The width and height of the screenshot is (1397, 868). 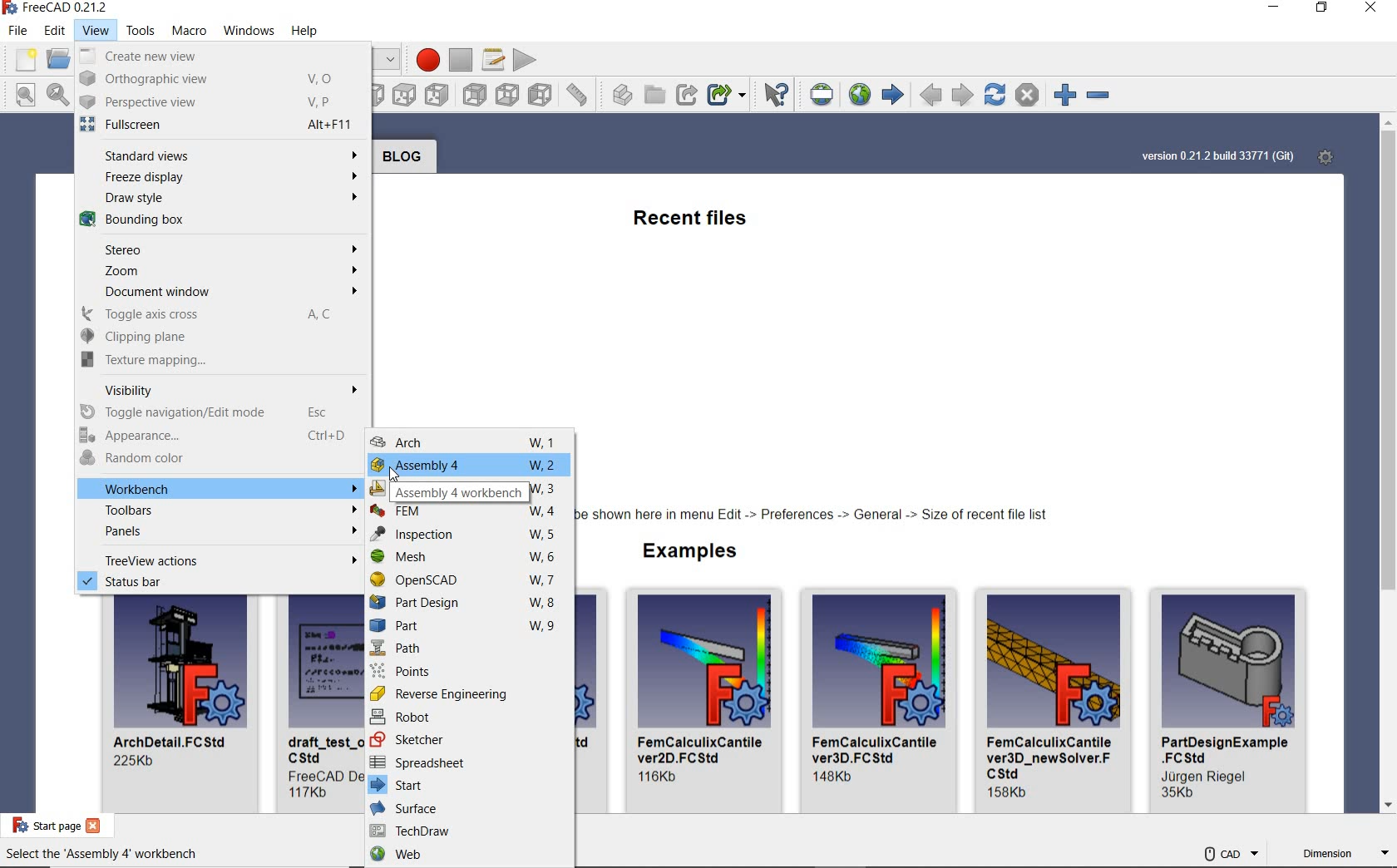 I want to click on close, so click(x=1374, y=8).